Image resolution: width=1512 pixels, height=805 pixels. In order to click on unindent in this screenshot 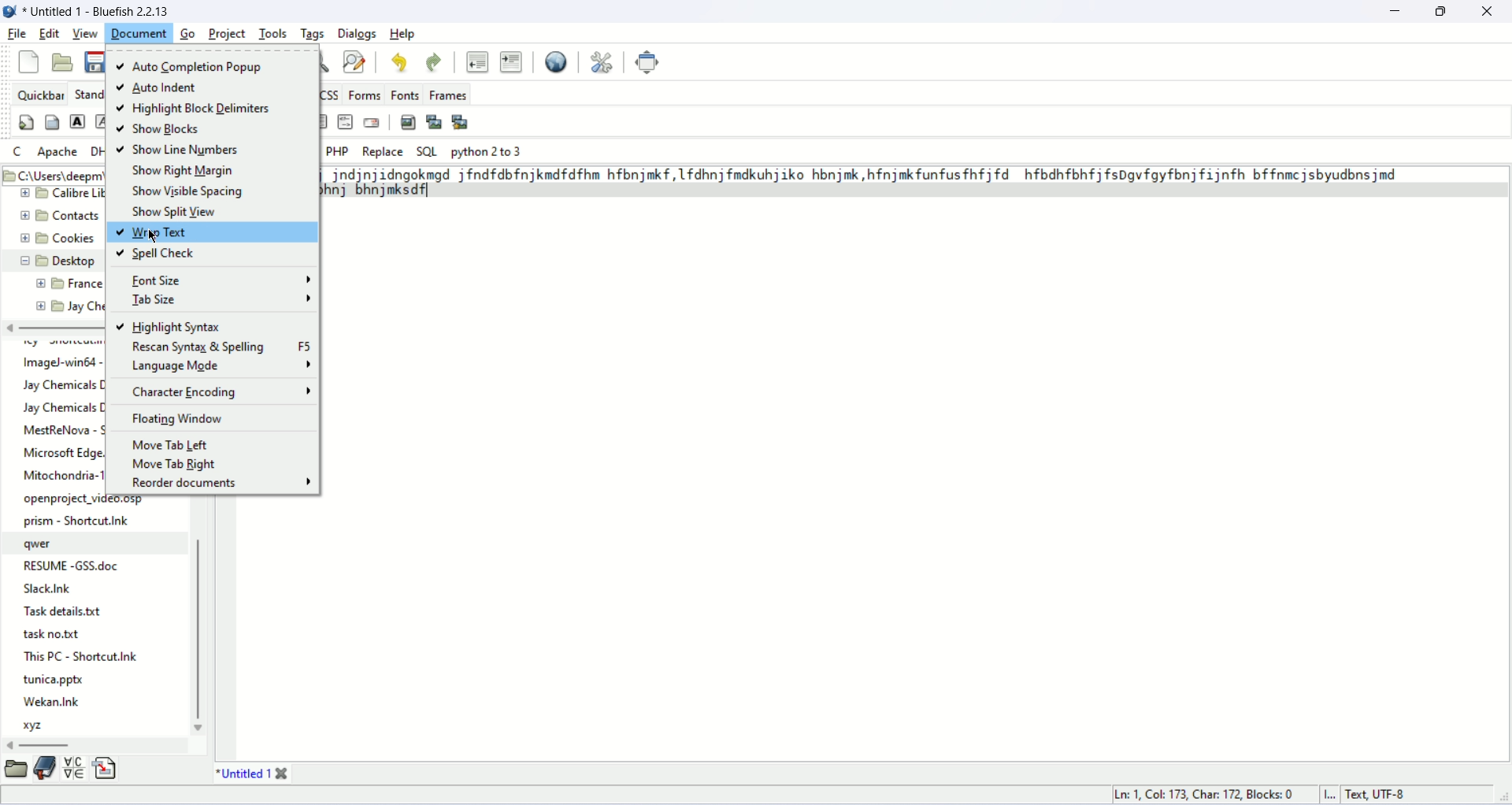, I will do `click(476, 61)`.